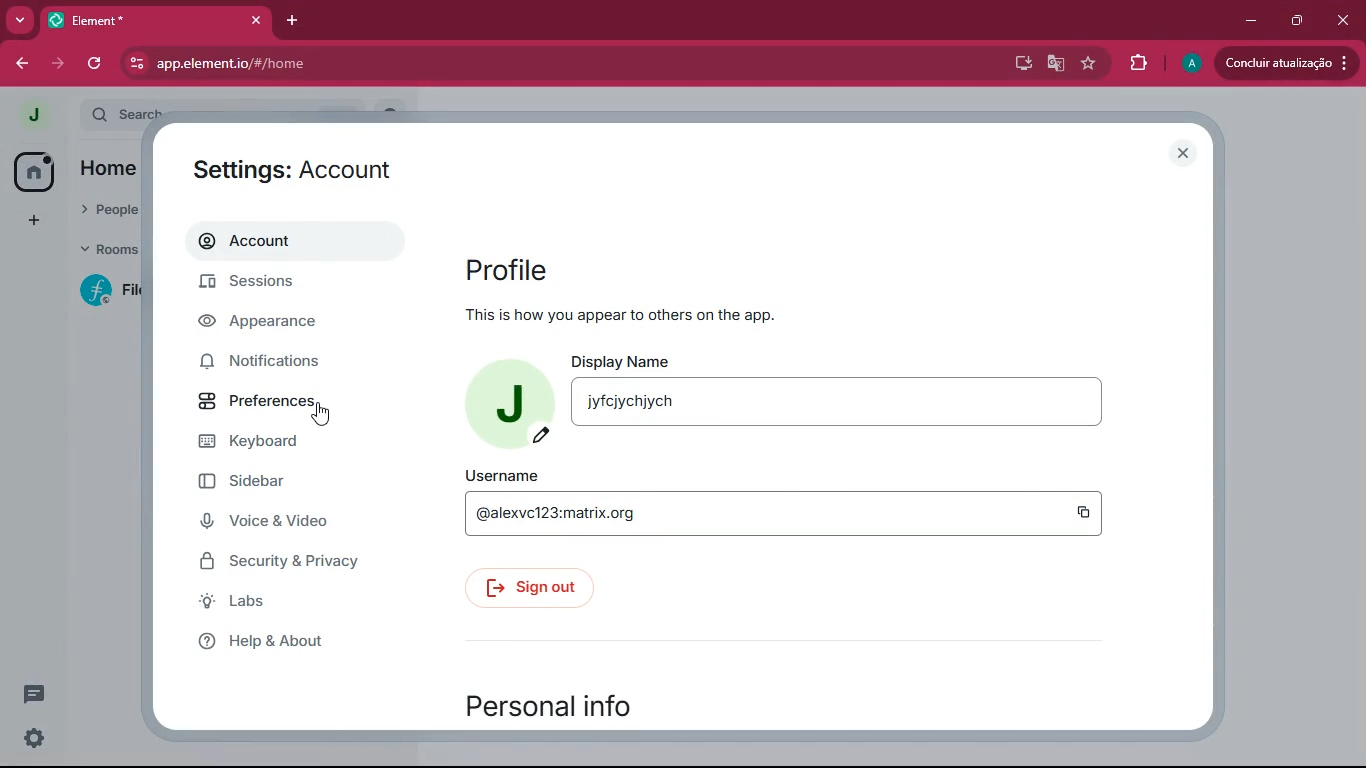 The width and height of the screenshot is (1366, 768). Describe the element at coordinates (97, 64) in the screenshot. I see `refresh` at that location.